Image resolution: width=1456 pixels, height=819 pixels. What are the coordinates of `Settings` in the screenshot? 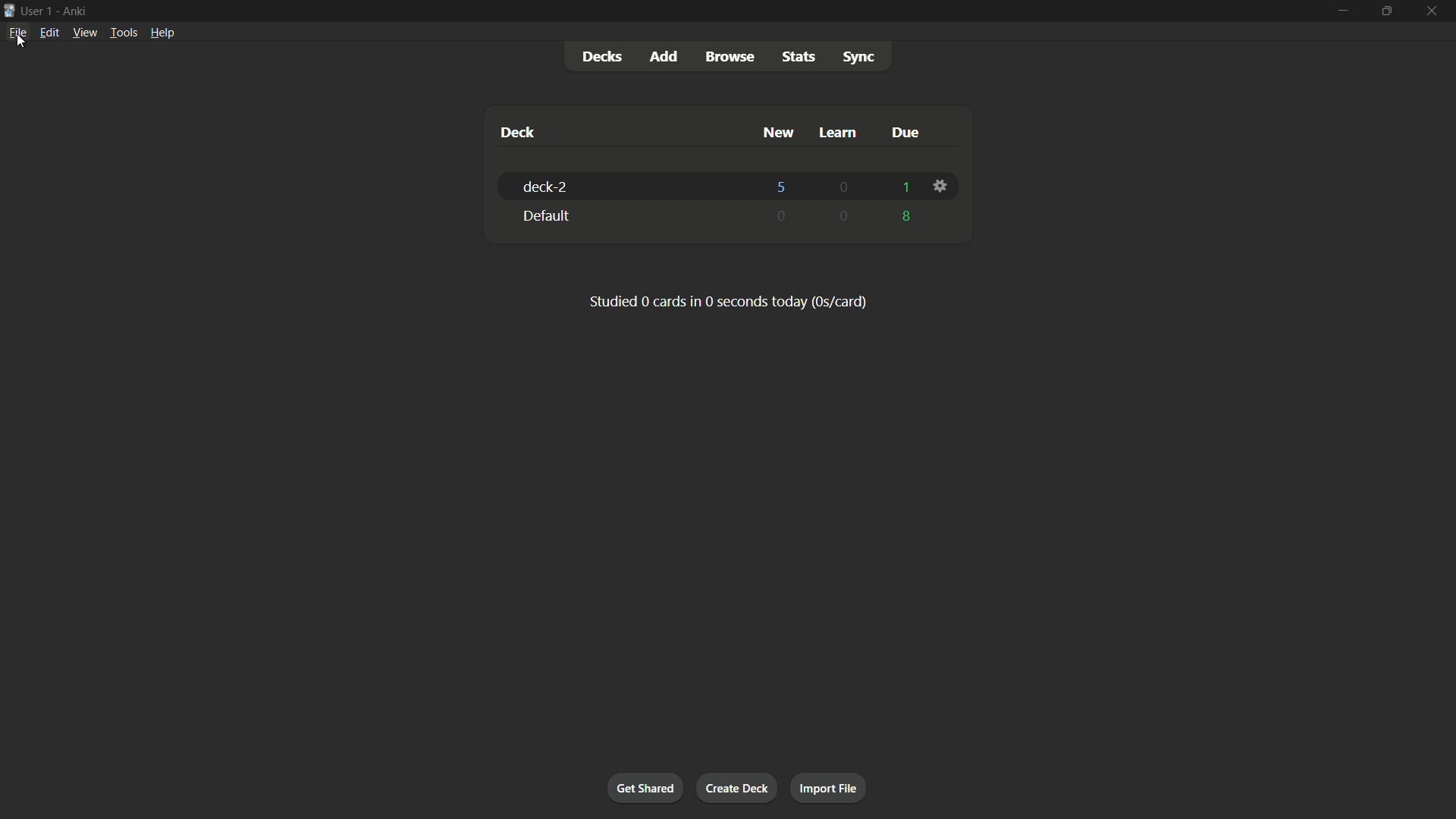 It's located at (943, 186).